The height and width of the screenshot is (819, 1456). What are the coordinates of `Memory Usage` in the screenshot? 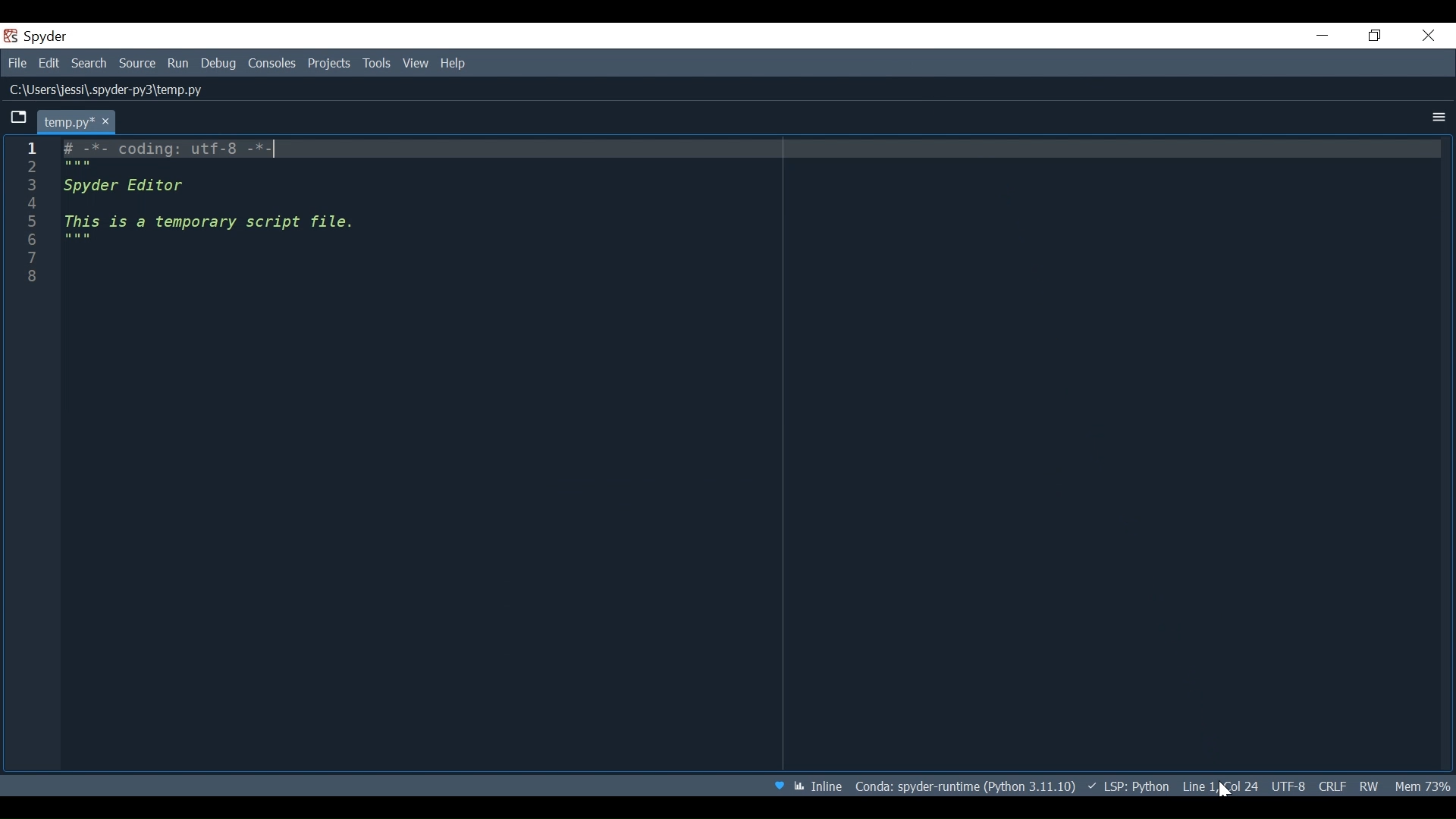 It's located at (1420, 785).